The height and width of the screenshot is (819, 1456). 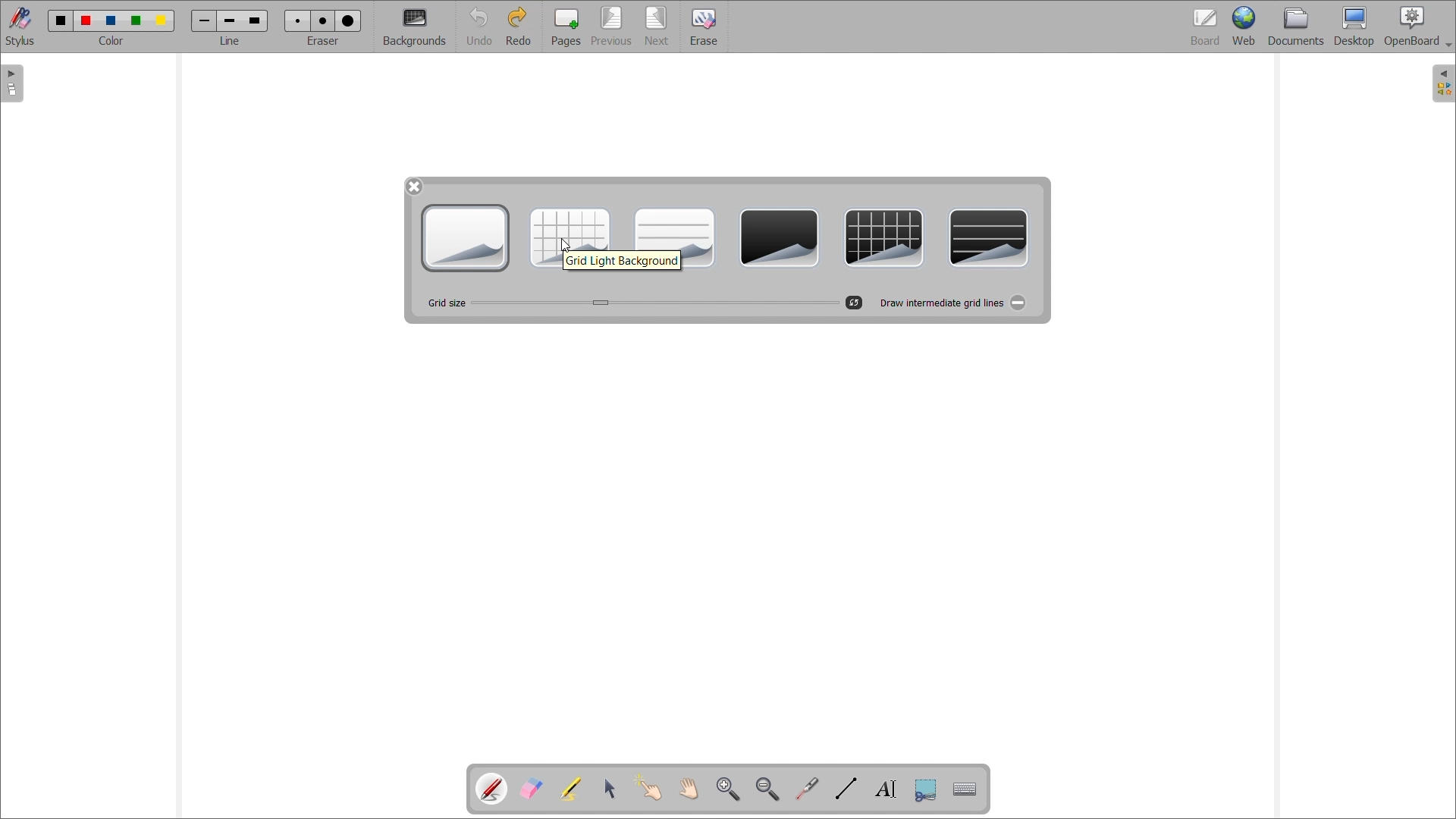 What do you see at coordinates (657, 27) in the screenshot?
I see `Go to next page` at bounding box center [657, 27].